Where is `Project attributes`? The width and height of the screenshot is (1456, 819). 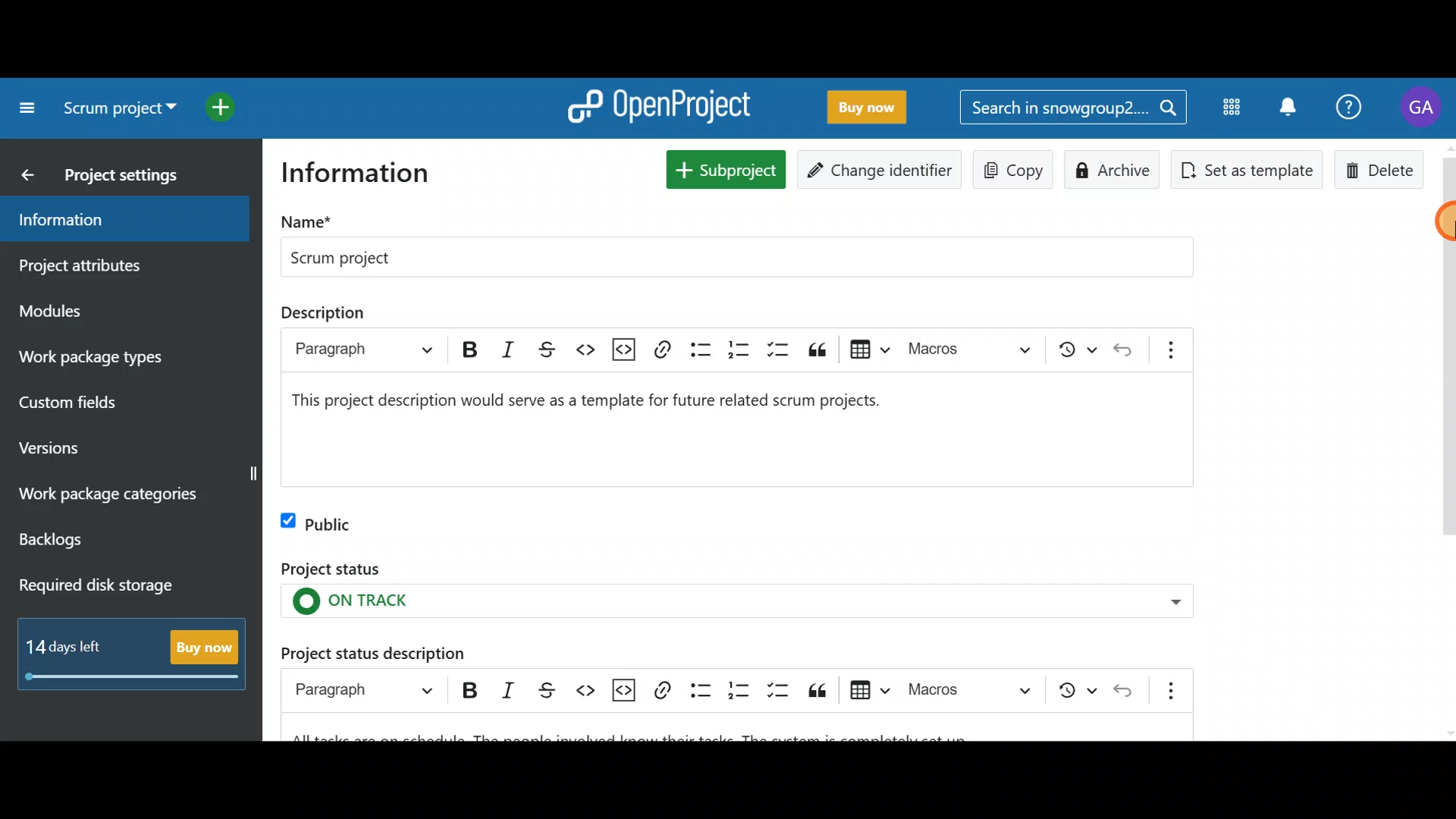 Project attributes is located at coordinates (108, 265).